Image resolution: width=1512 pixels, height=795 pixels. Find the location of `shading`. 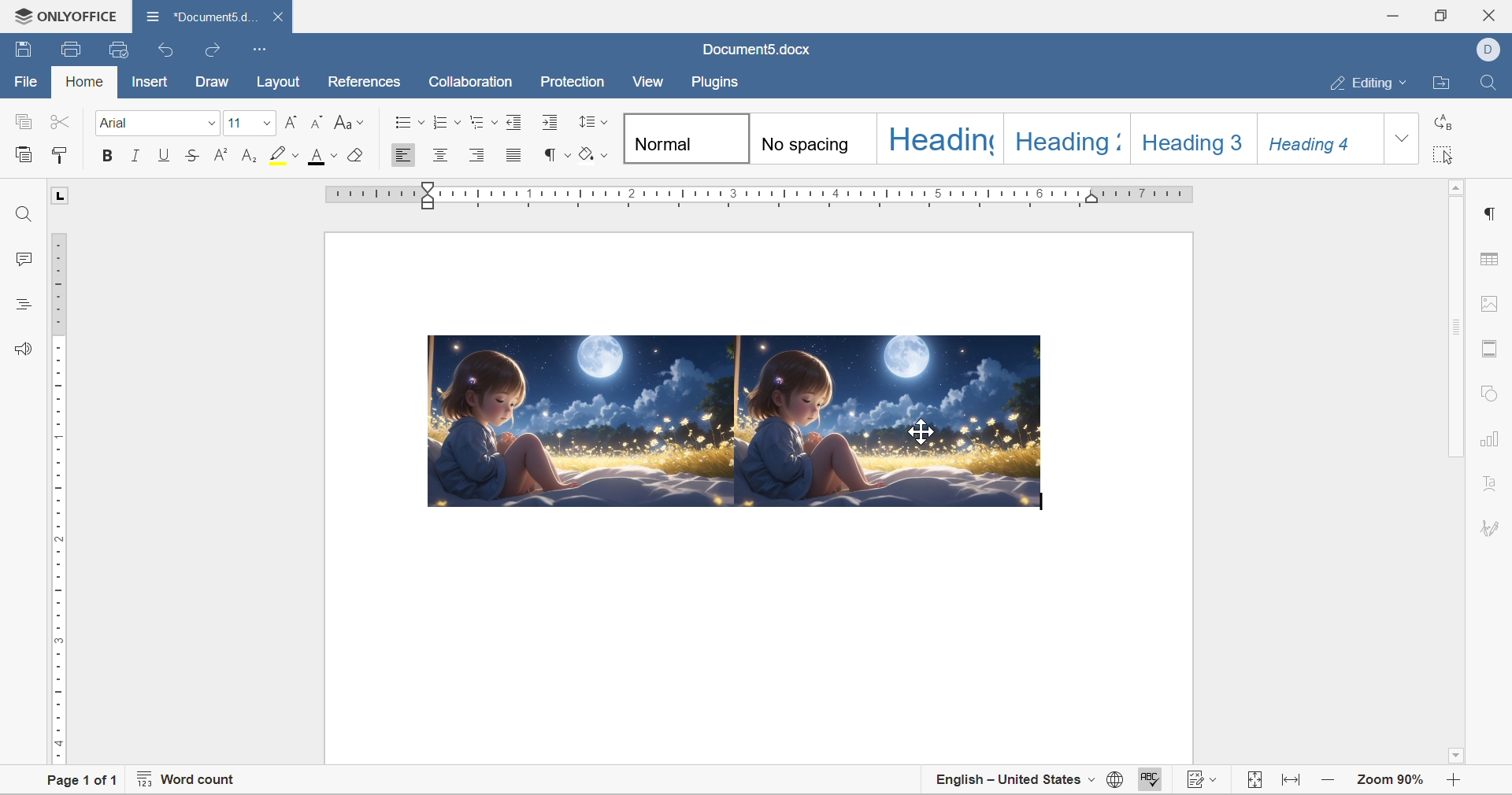

shading is located at coordinates (594, 152).